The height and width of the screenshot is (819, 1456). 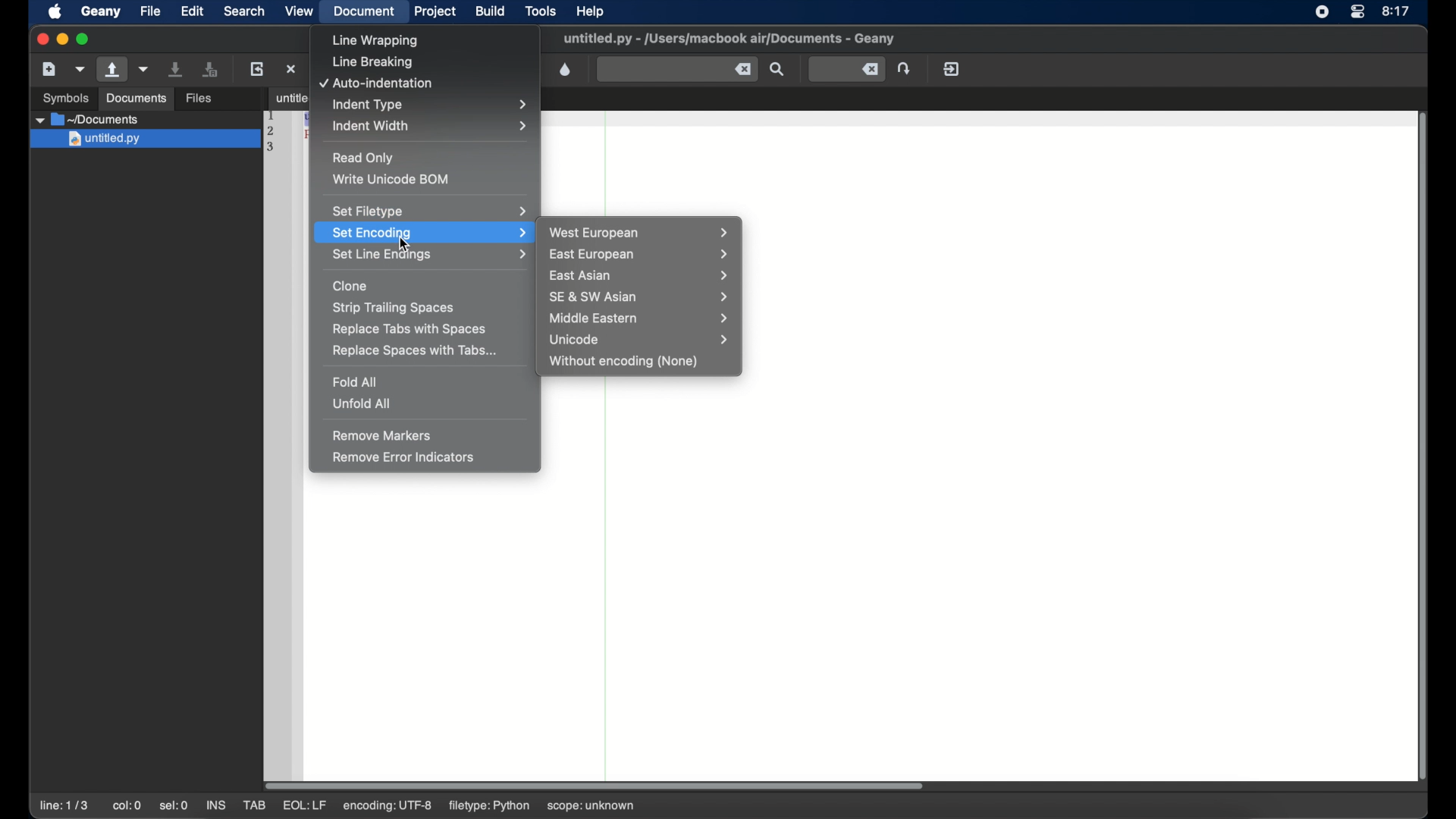 I want to click on line: 1/3, so click(x=64, y=805).